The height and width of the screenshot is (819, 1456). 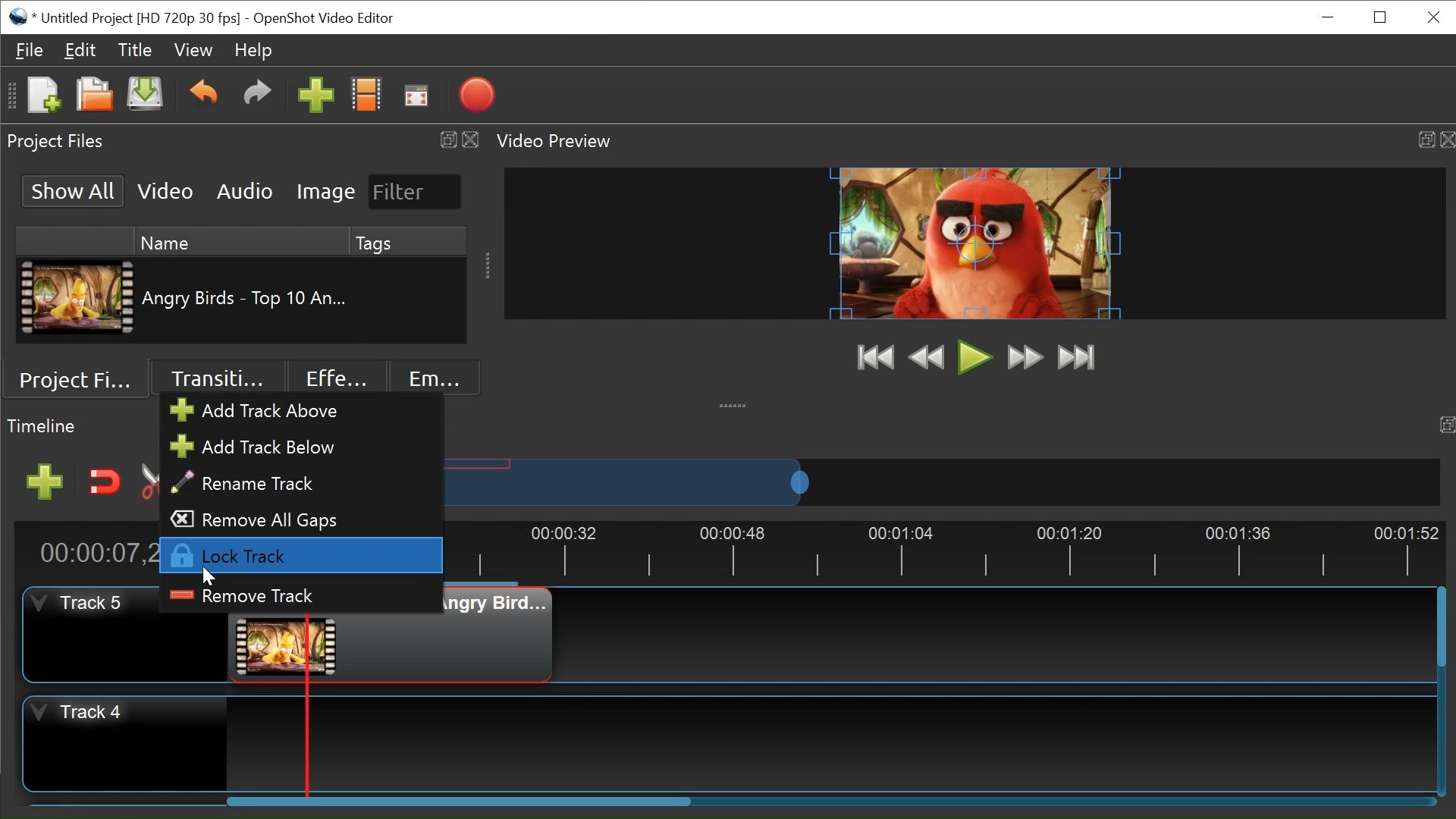 I want to click on Add Track Below, so click(x=266, y=447).